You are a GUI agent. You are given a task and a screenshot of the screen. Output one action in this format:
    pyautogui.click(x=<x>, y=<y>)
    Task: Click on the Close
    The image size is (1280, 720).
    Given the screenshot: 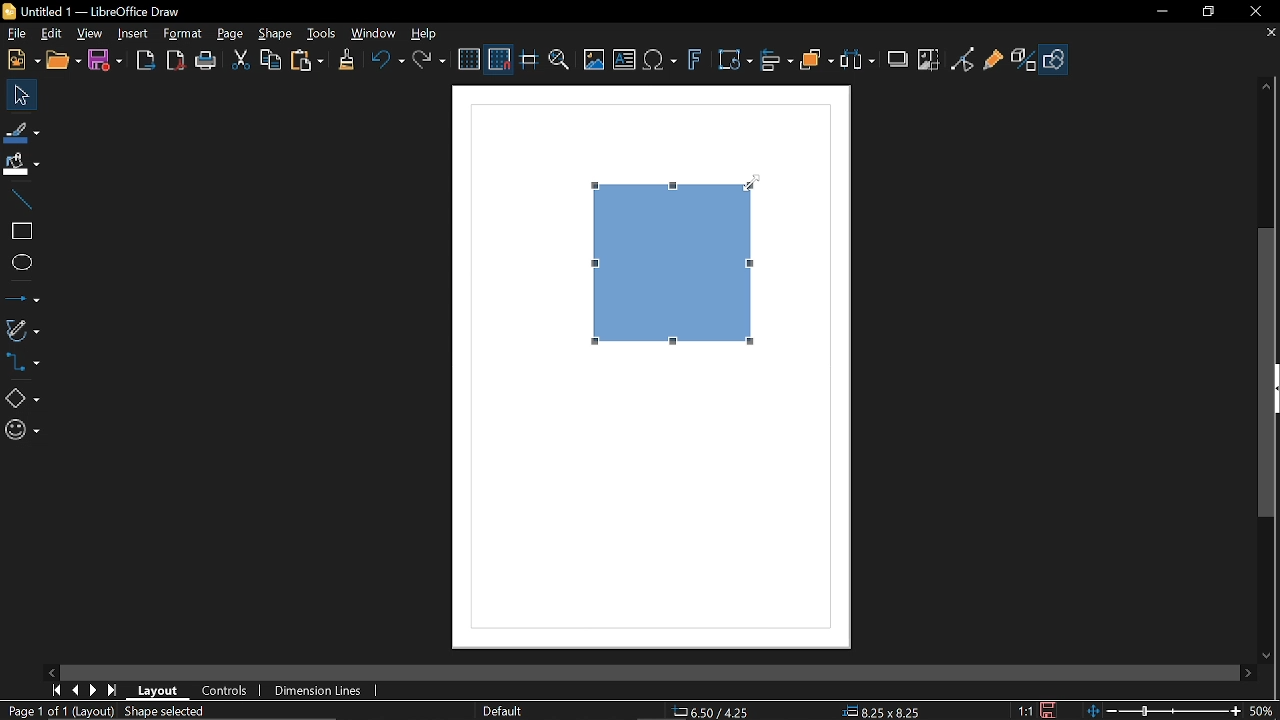 What is the action you would take?
    pyautogui.click(x=1257, y=11)
    